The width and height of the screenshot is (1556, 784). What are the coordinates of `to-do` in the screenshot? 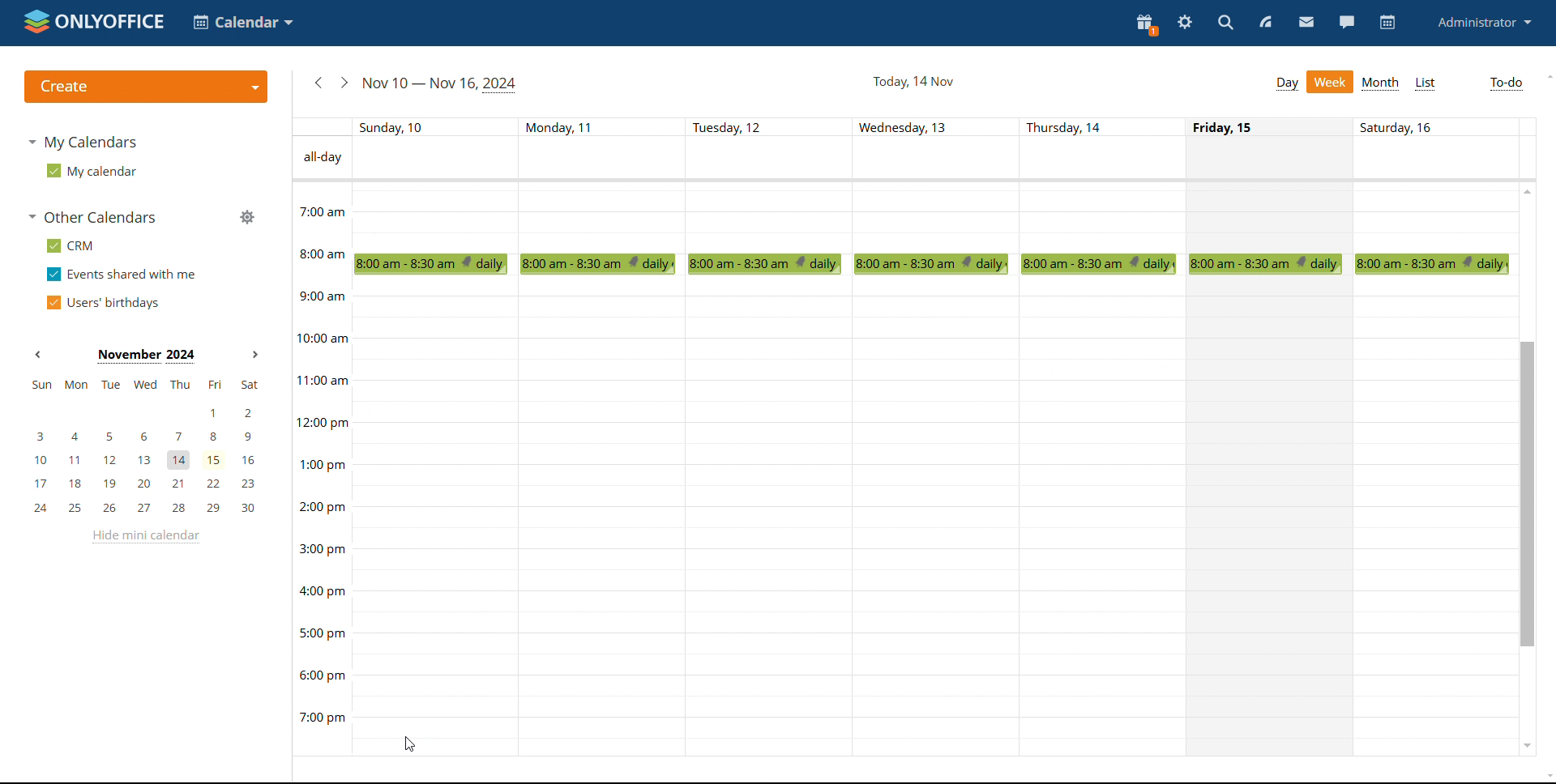 It's located at (1507, 83).